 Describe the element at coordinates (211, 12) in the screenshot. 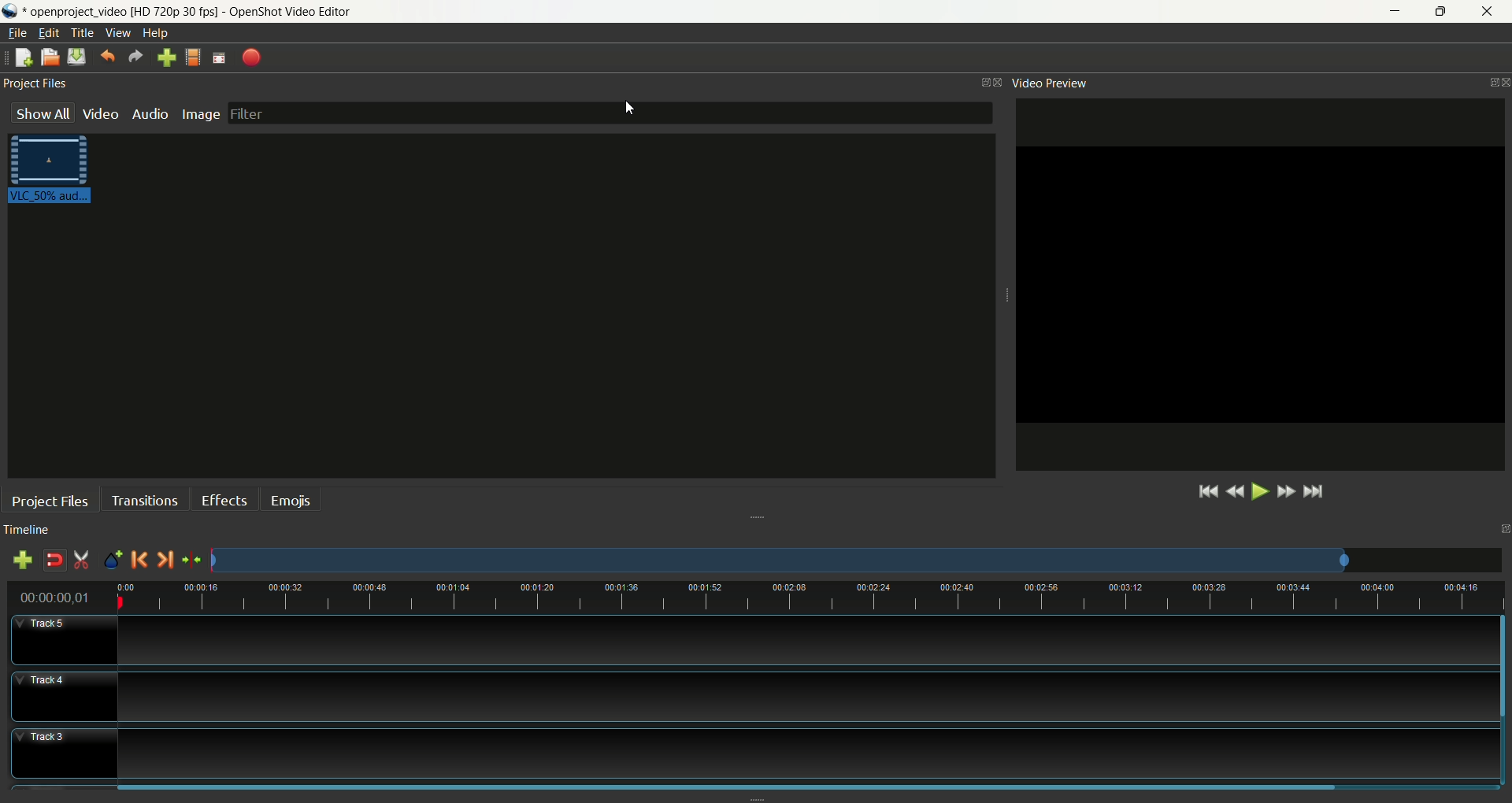

I see `openproject_video [HD 720p 30 fps] - OpenShot Video Editor` at that location.